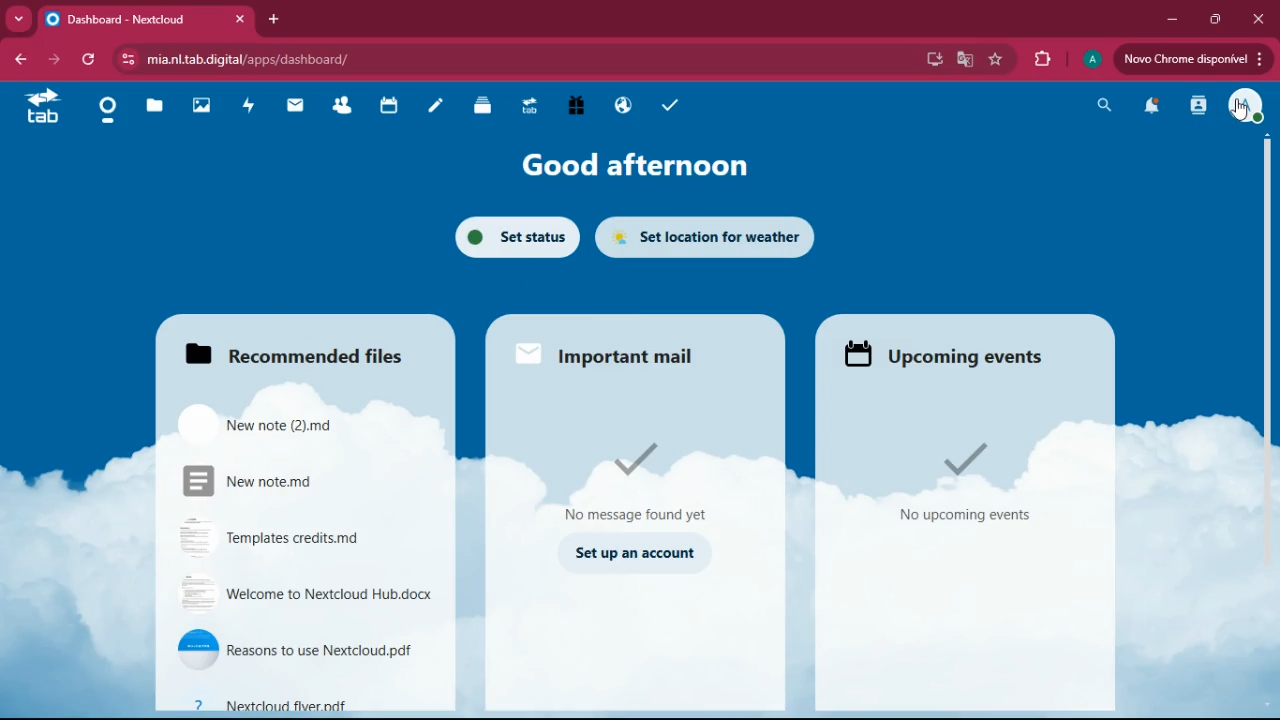 The image size is (1280, 720). Describe the element at coordinates (150, 21) in the screenshot. I see `tab` at that location.